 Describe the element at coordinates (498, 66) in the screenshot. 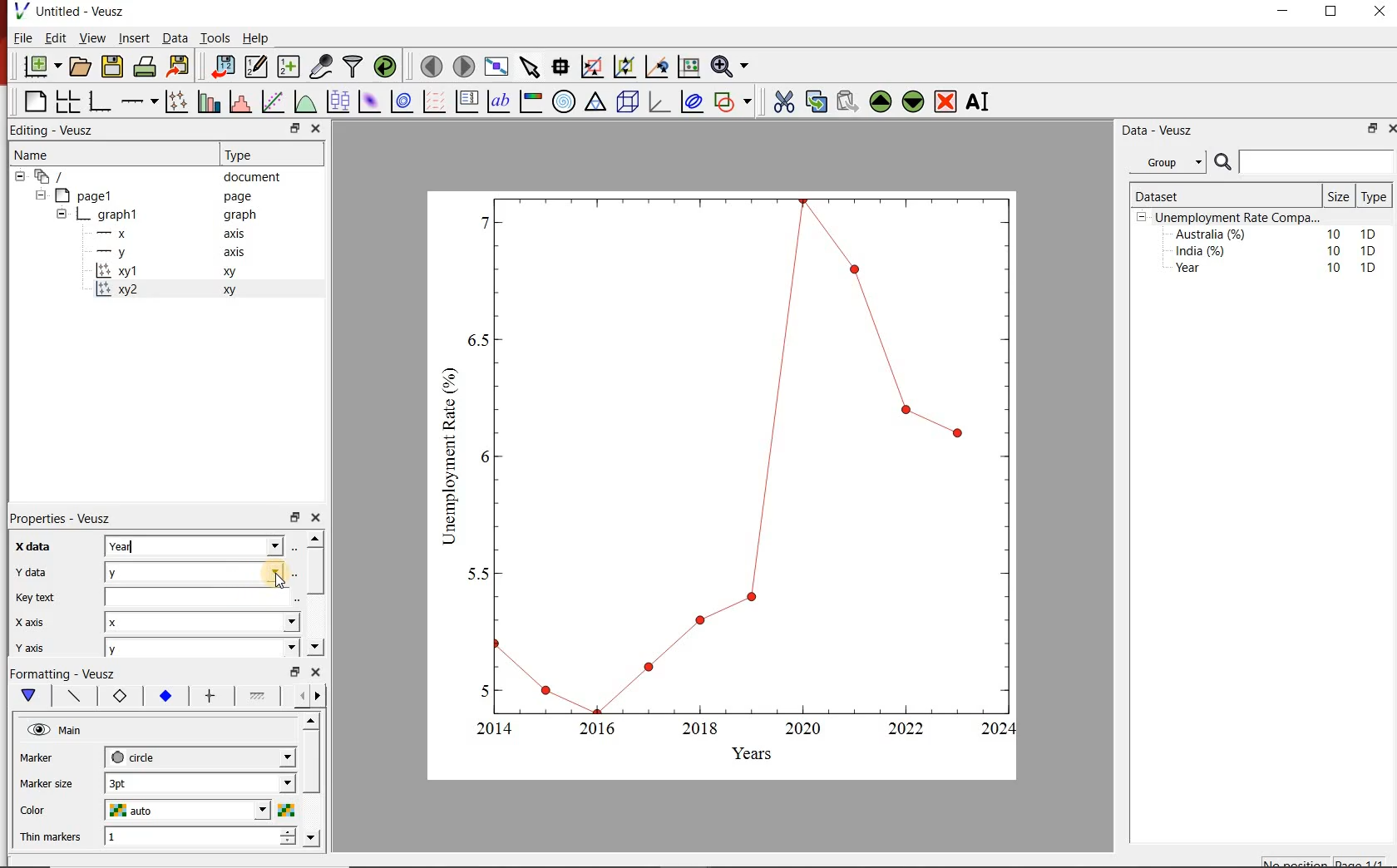

I see `view plot on full screen` at that location.